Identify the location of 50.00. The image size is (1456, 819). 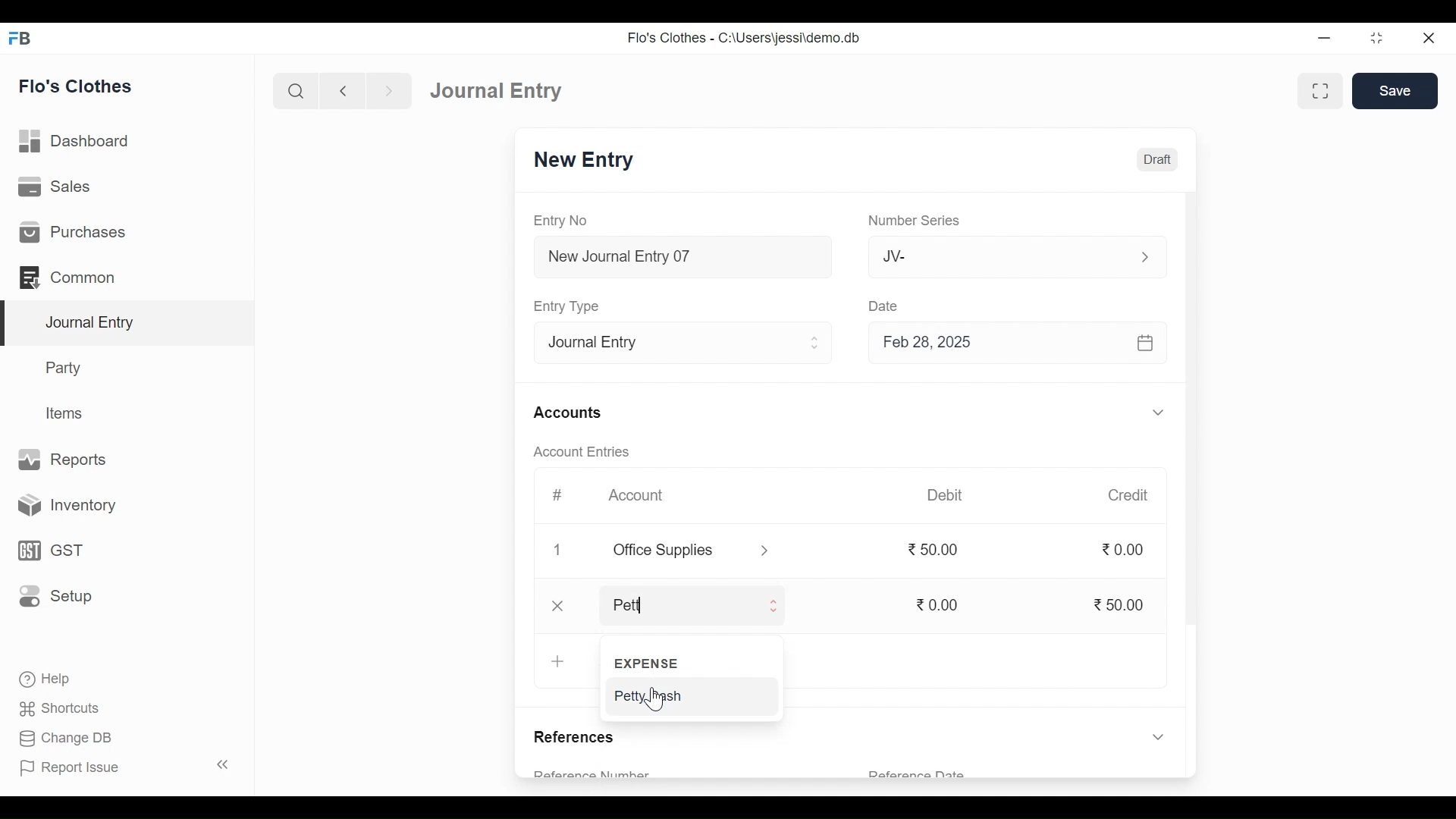
(1119, 606).